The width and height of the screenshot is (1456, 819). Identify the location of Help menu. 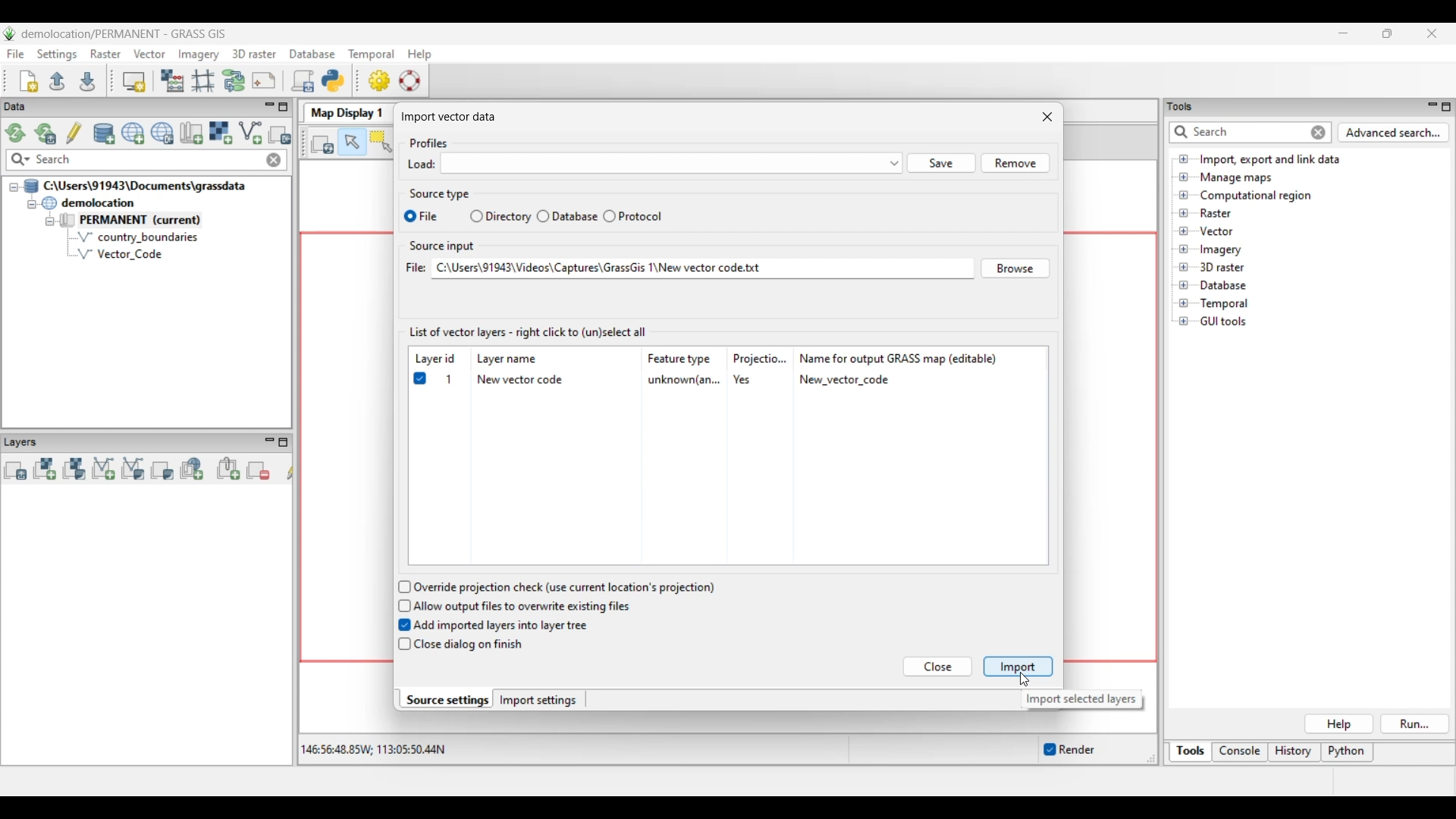
(419, 54).